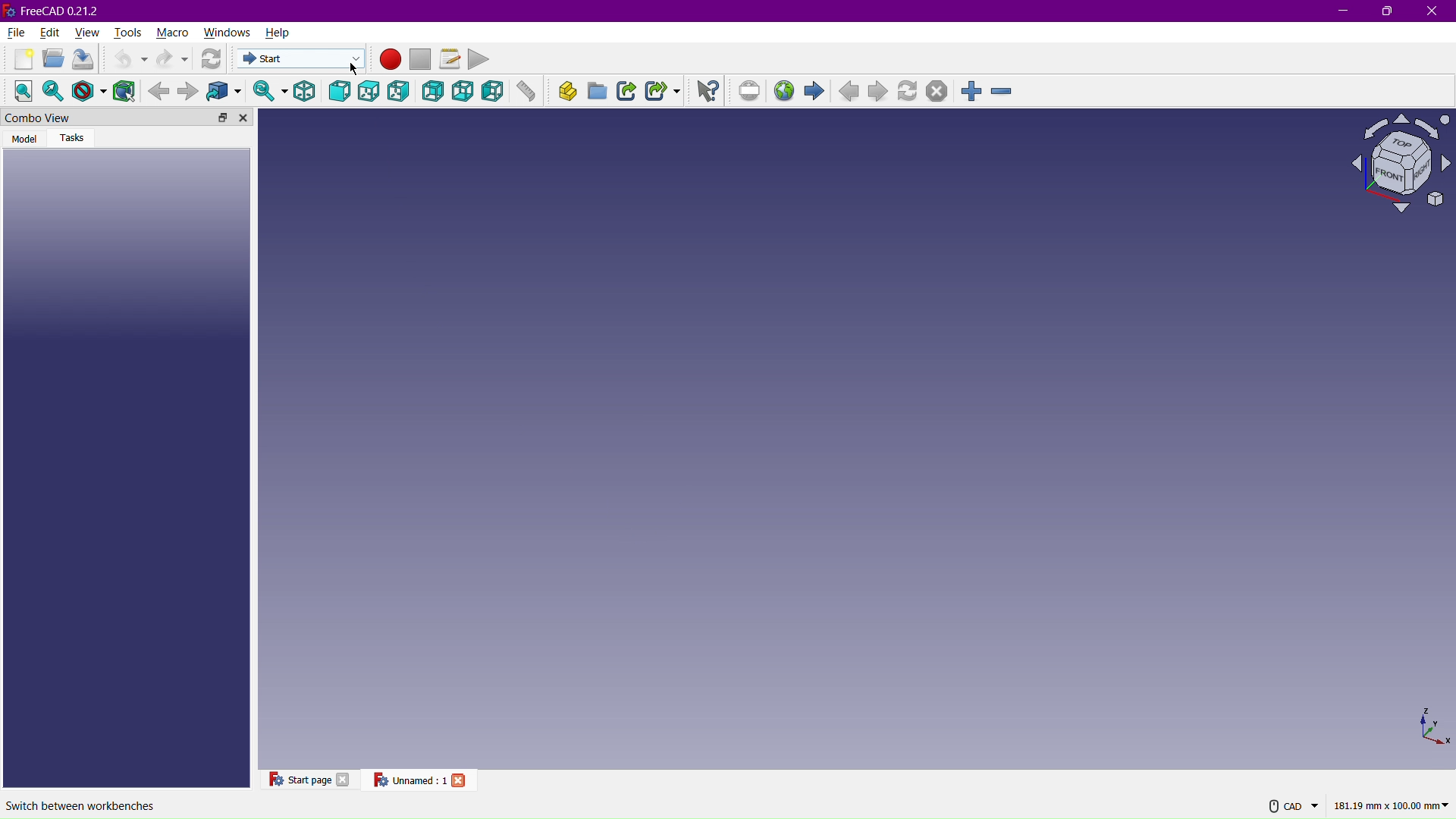 This screenshot has width=1456, height=819. Describe the element at coordinates (527, 89) in the screenshot. I see `Measure distance` at that location.